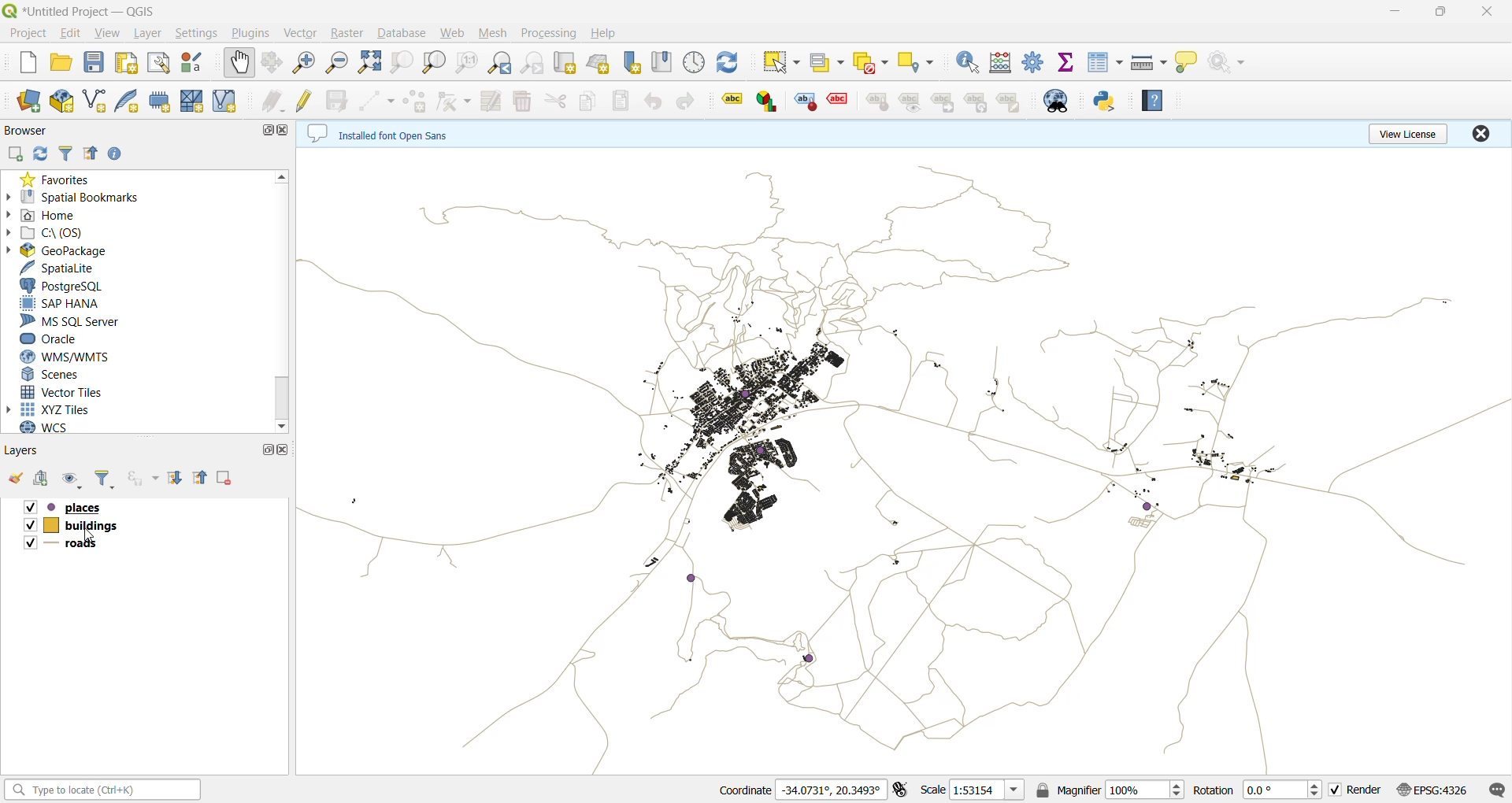 This screenshot has height=803, width=1512. Describe the element at coordinates (525, 101) in the screenshot. I see `delete` at that location.